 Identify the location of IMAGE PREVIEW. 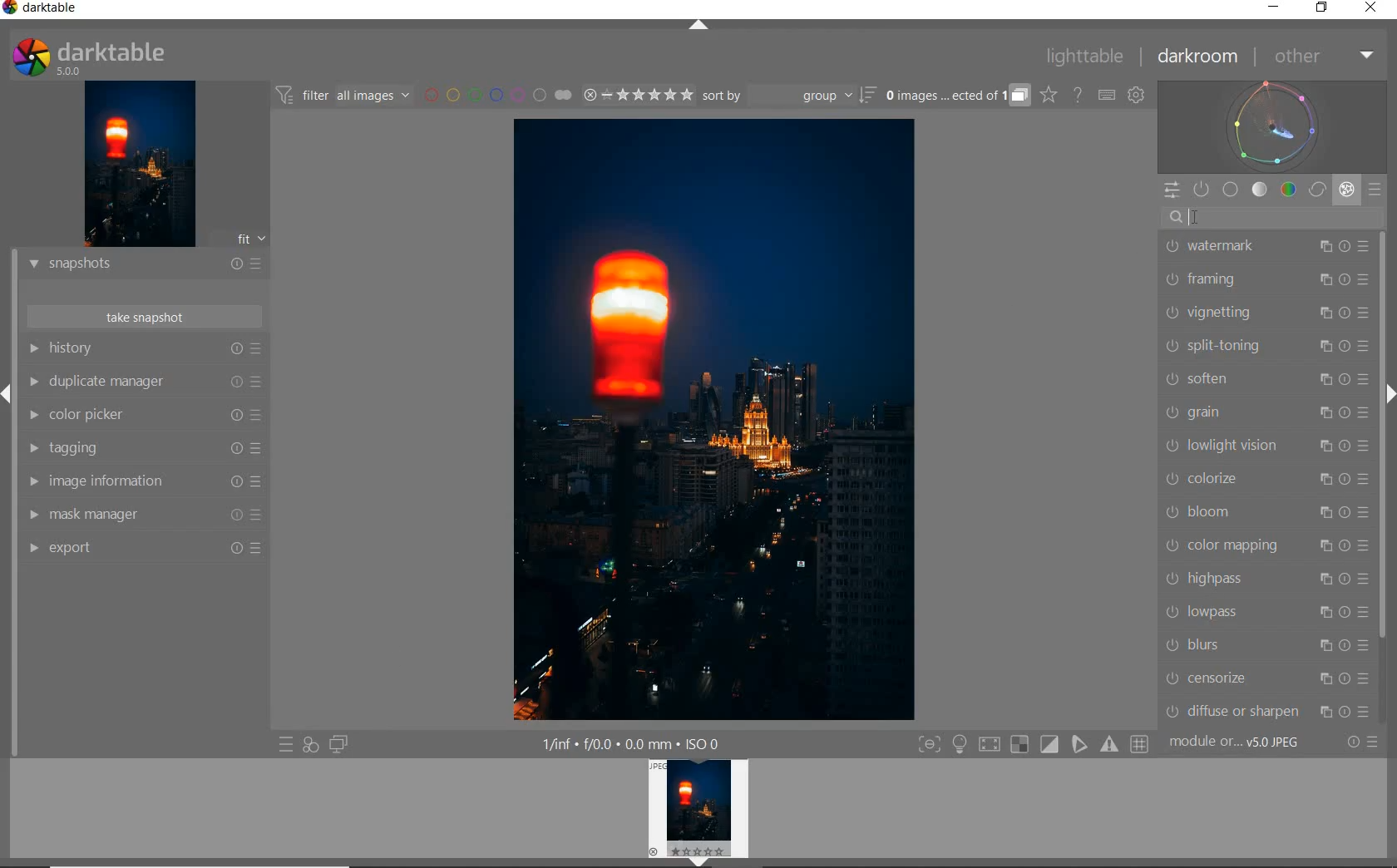
(140, 163).